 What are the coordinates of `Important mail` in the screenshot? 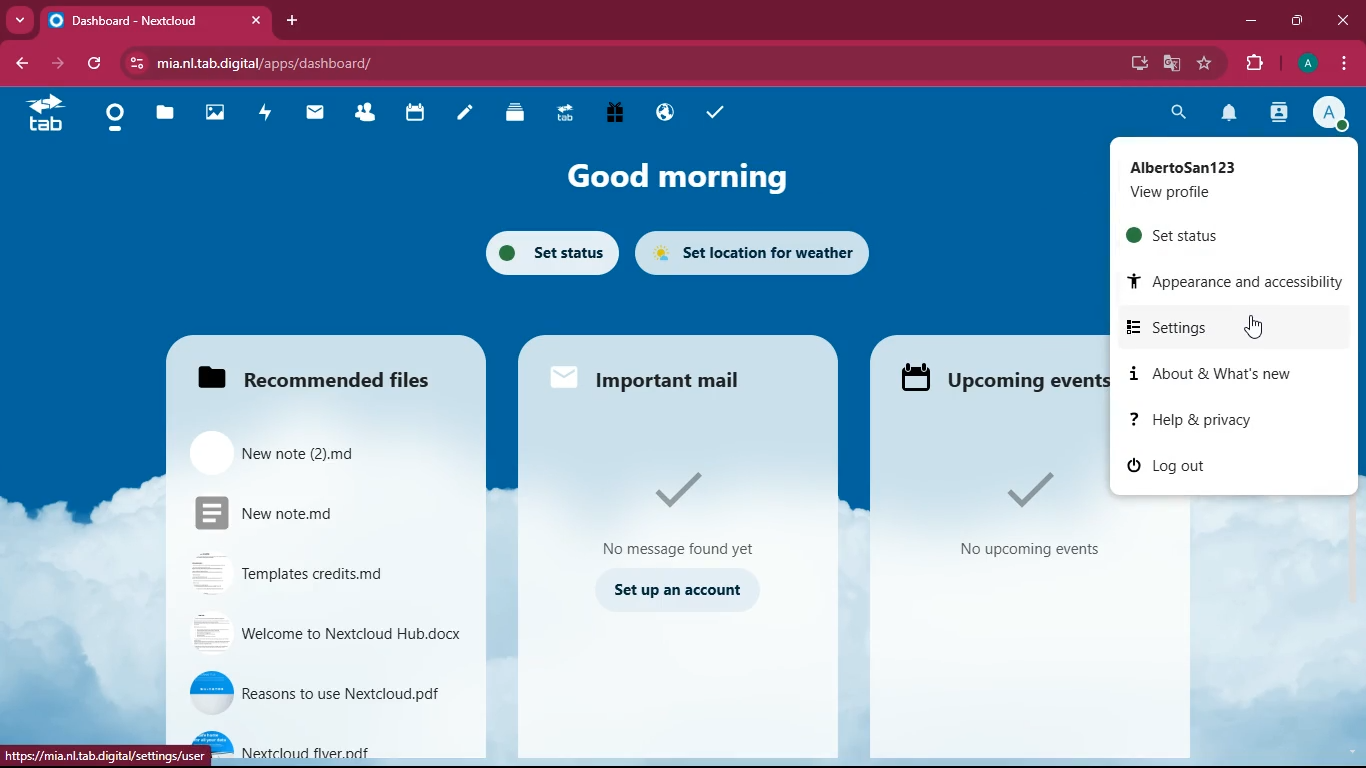 It's located at (672, 384).